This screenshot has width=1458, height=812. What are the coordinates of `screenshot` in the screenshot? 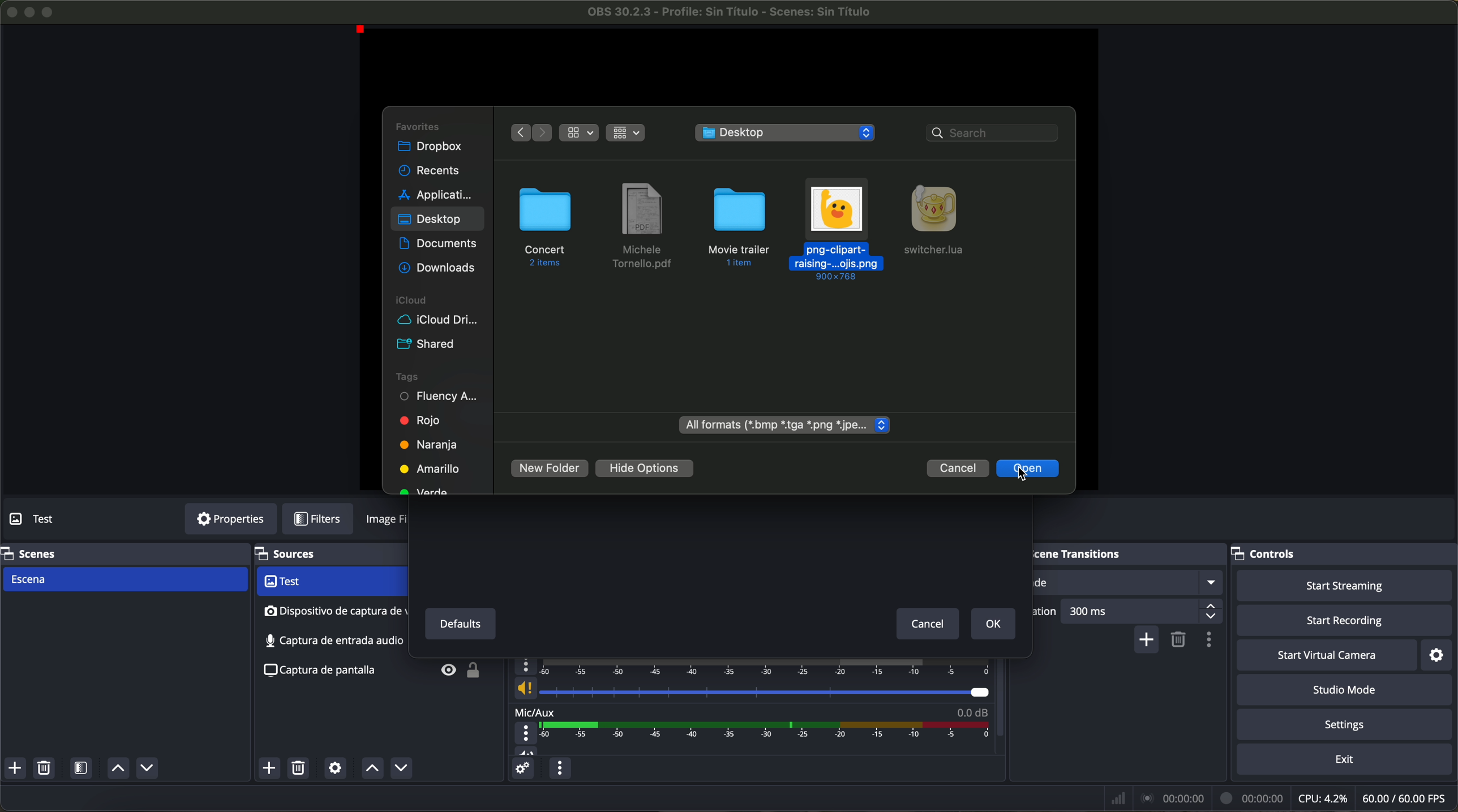 It's located at (325, 672).